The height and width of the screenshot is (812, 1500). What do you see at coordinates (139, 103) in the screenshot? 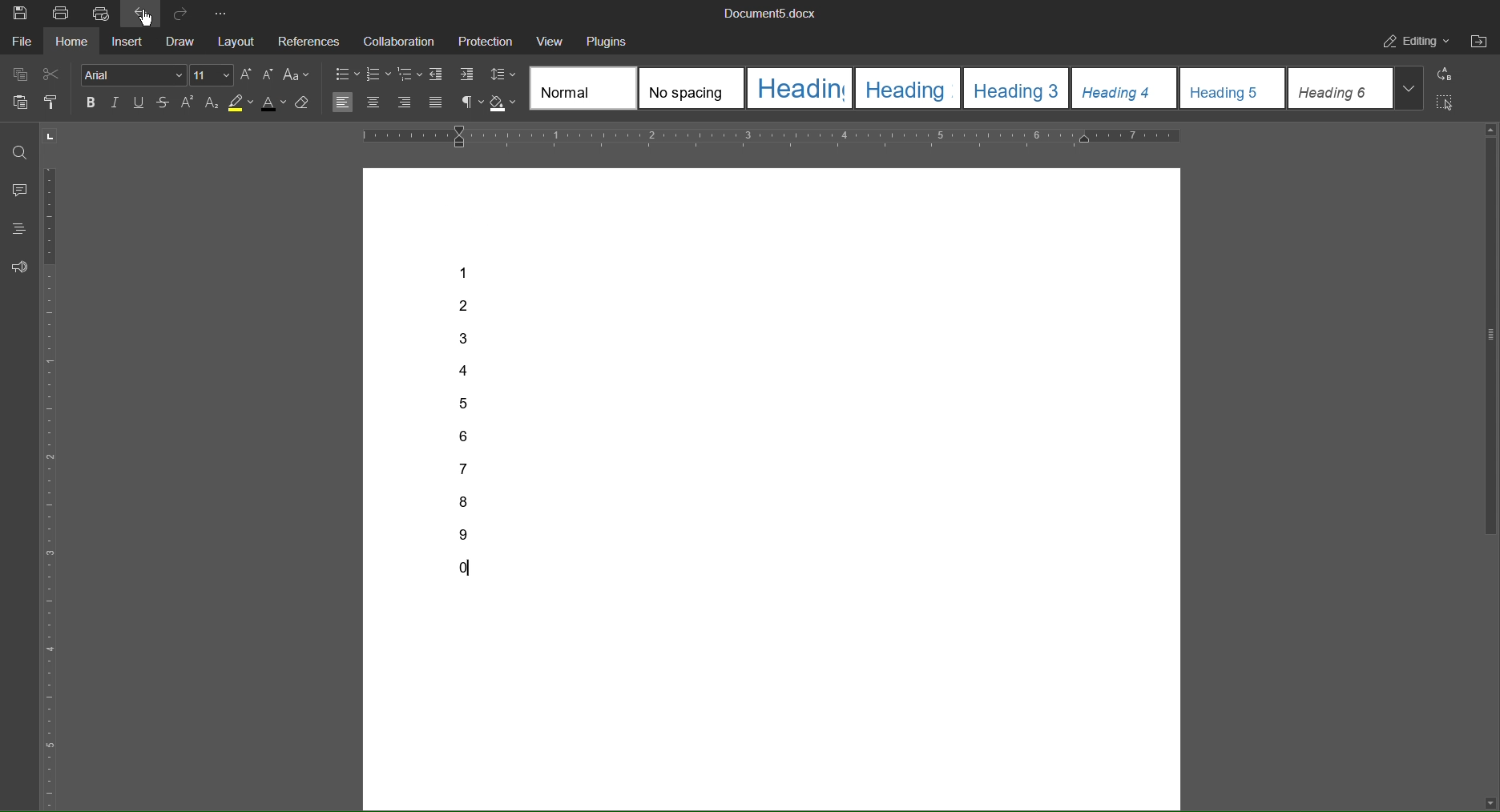
I see `Underline` at bounding box center [139, 103].